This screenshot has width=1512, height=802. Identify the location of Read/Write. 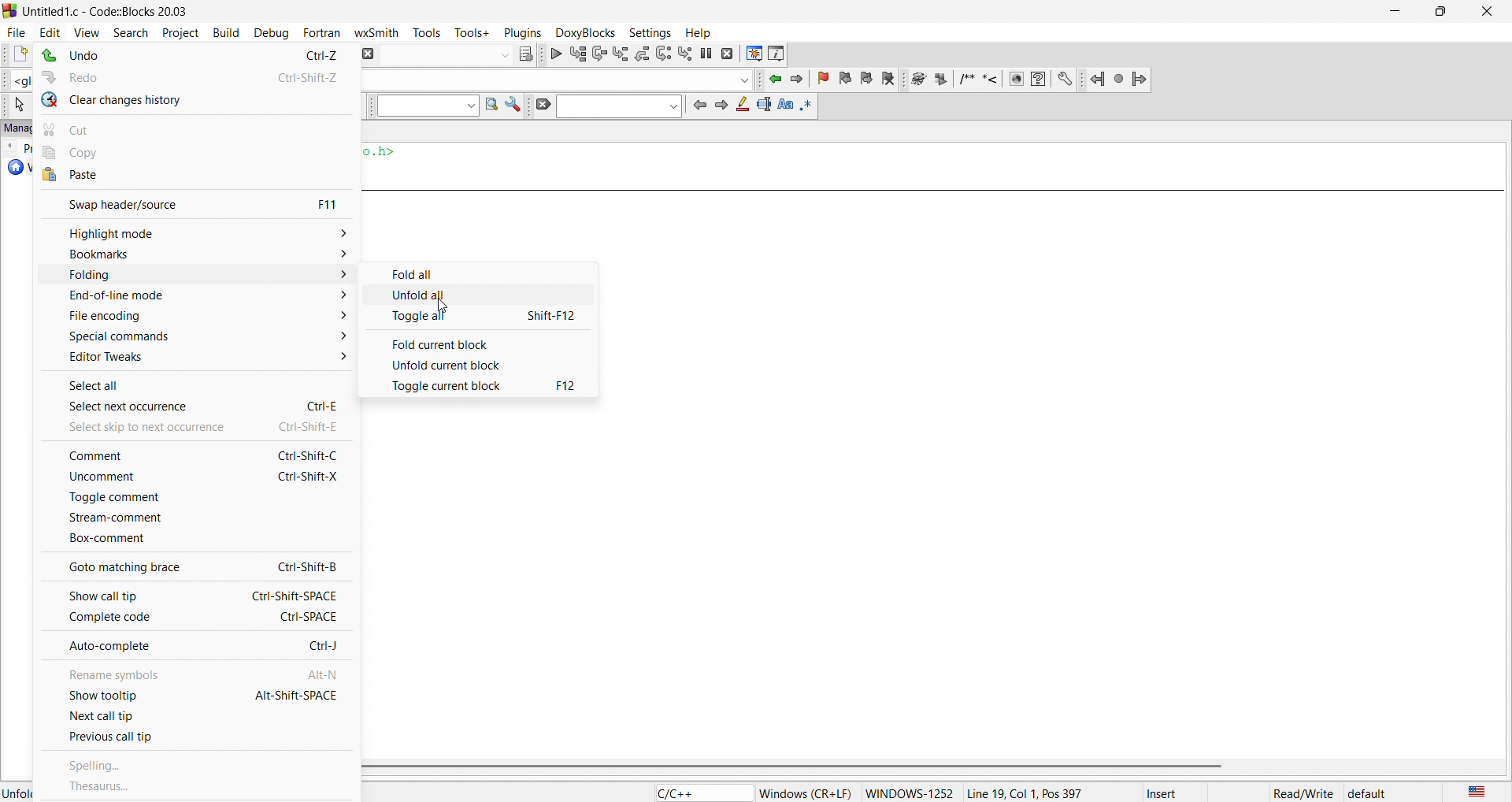
(1303, 792).